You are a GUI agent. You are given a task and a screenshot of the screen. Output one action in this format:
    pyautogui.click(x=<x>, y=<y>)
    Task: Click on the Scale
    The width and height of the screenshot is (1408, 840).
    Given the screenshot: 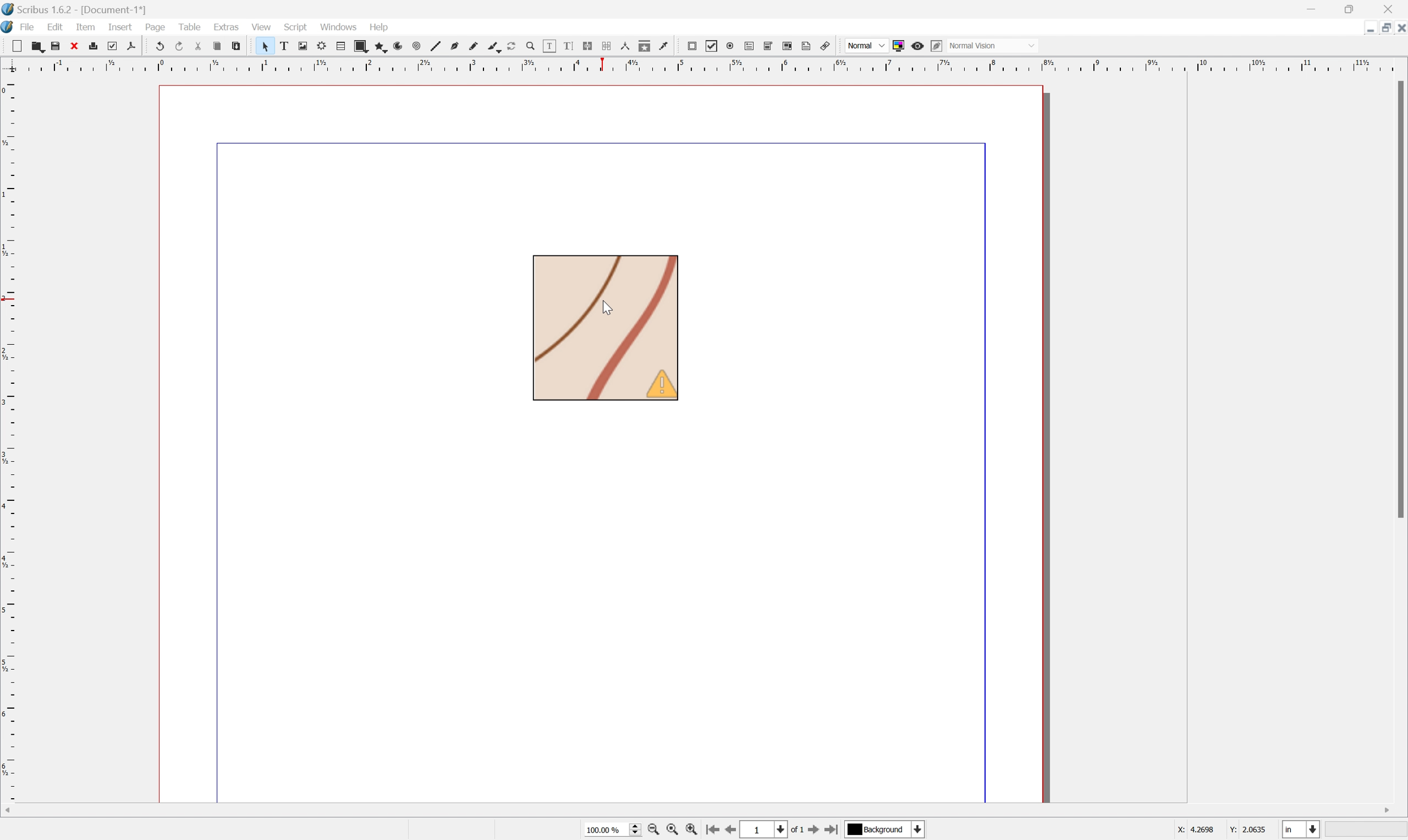 What is the action you would take?
    pyautogui.click(x=9, y=439)
    